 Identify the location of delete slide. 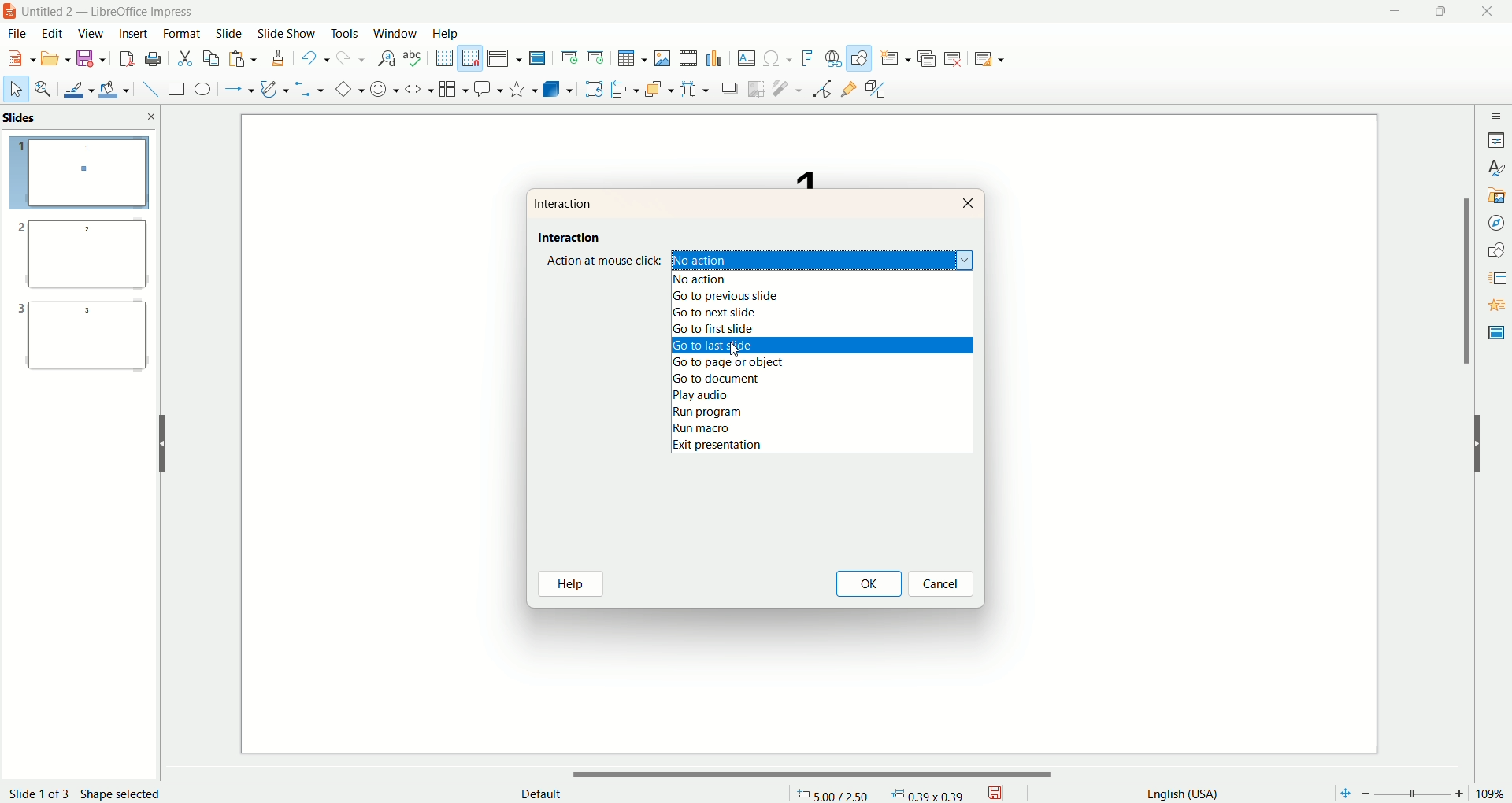
(956, 61).